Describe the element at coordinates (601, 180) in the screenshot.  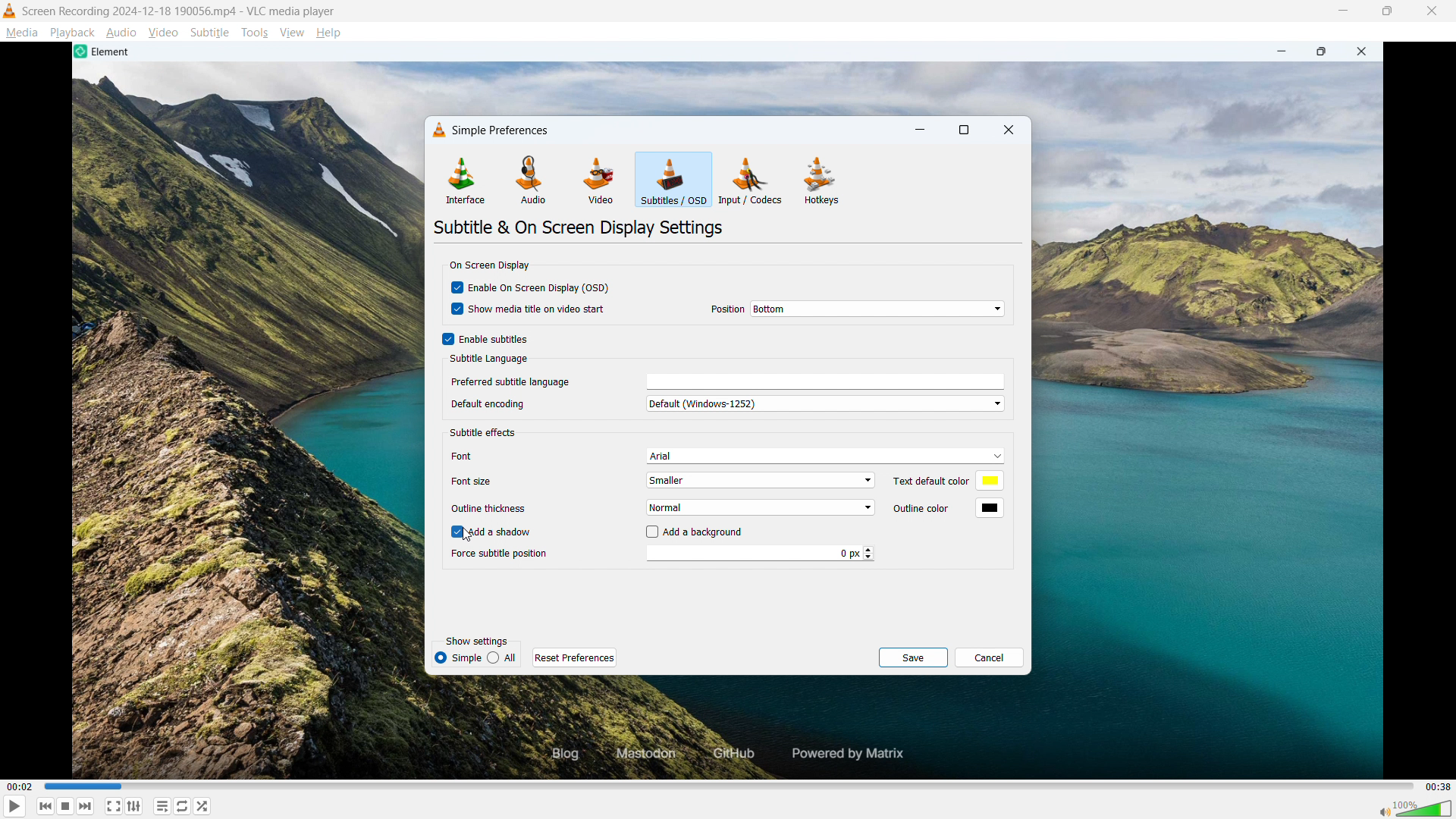
I see `Video ` at that location.